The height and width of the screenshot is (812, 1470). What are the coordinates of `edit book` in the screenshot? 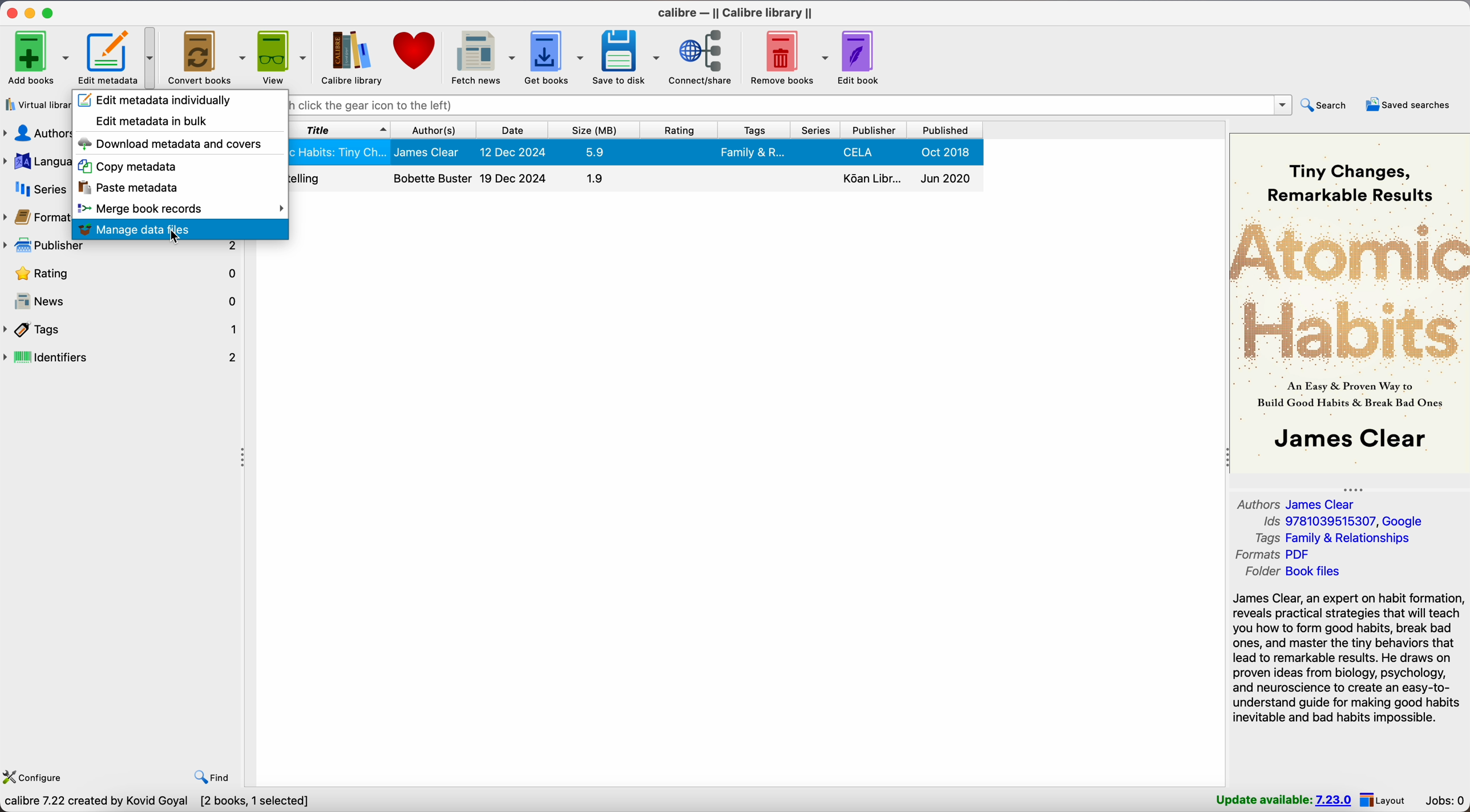 It's located at (862, 59).